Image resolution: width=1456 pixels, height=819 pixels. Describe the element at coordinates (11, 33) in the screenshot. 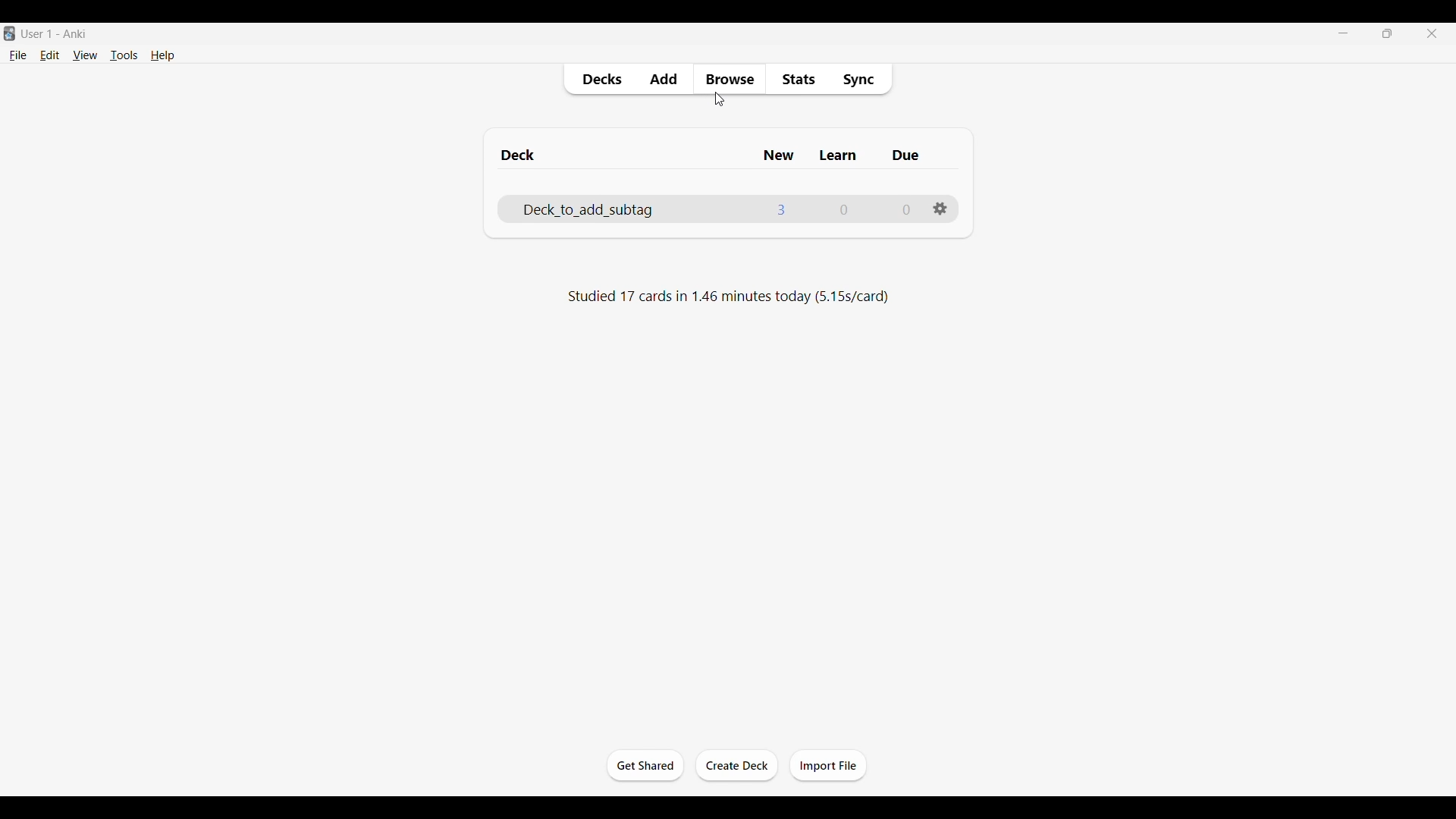

I see `Software logo` at that location.